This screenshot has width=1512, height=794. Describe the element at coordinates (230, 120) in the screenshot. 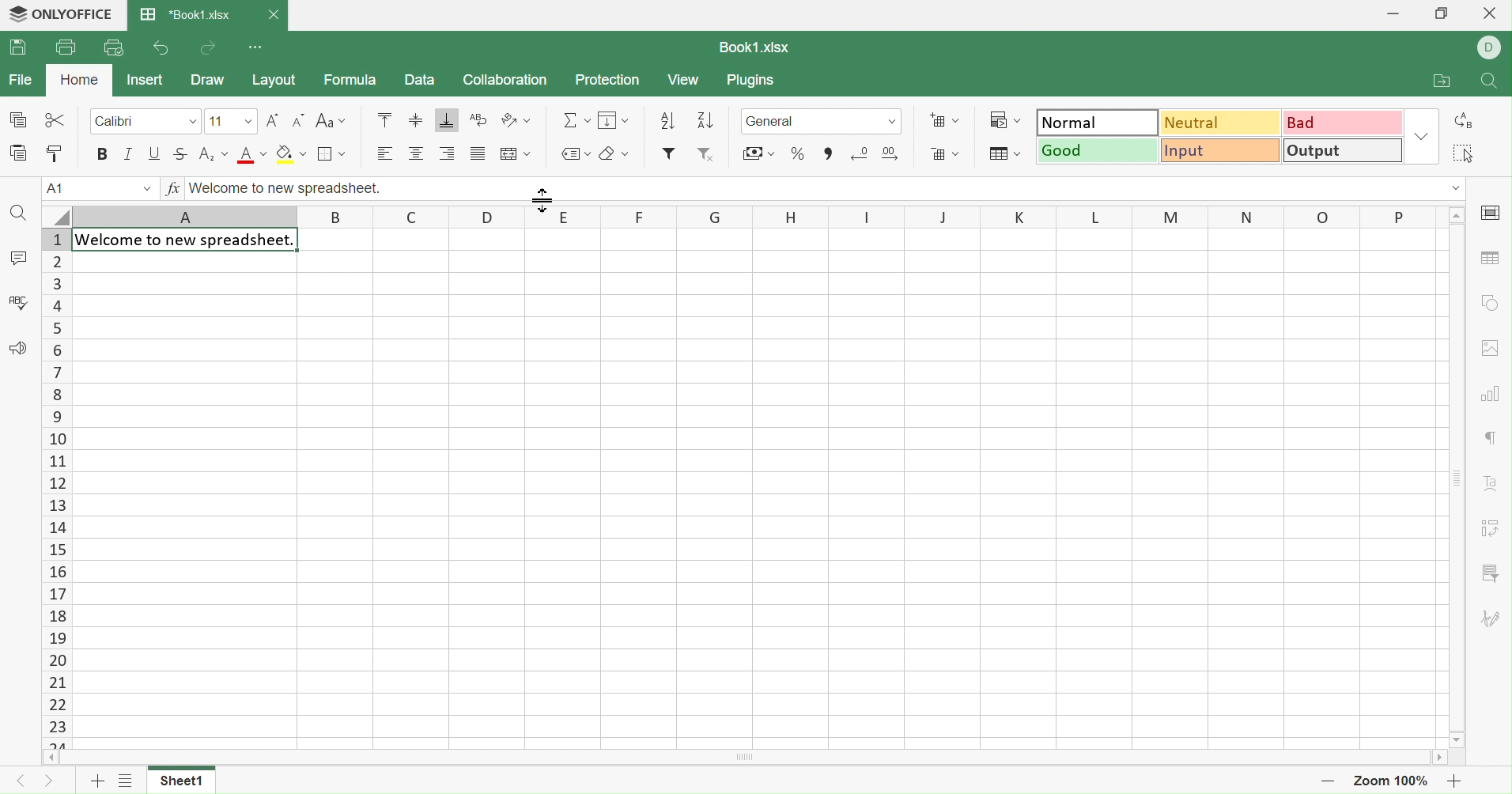

I see `font size` at that location.